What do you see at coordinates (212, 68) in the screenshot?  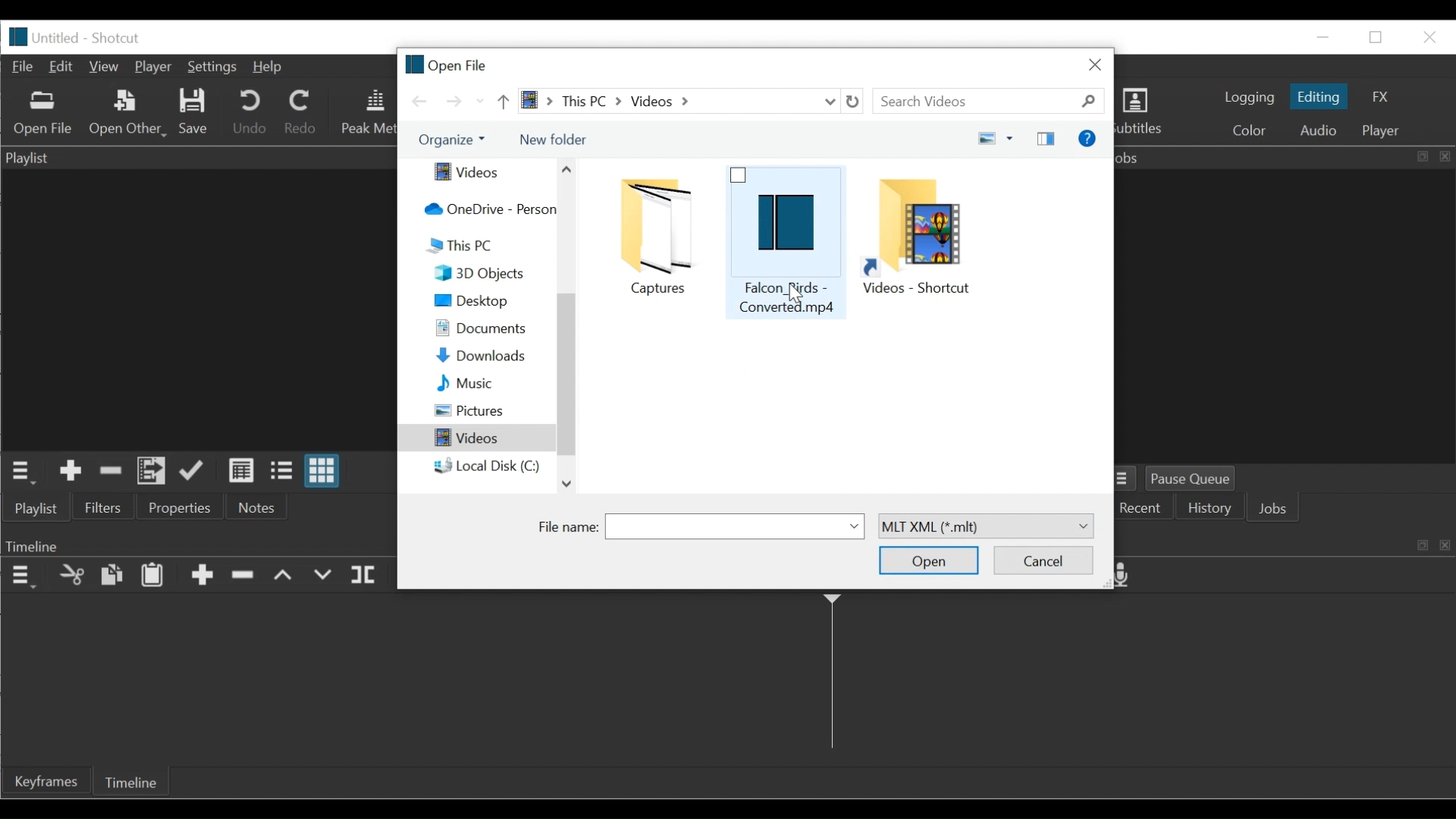 I see `Settings` at bounding box center [212, 68].